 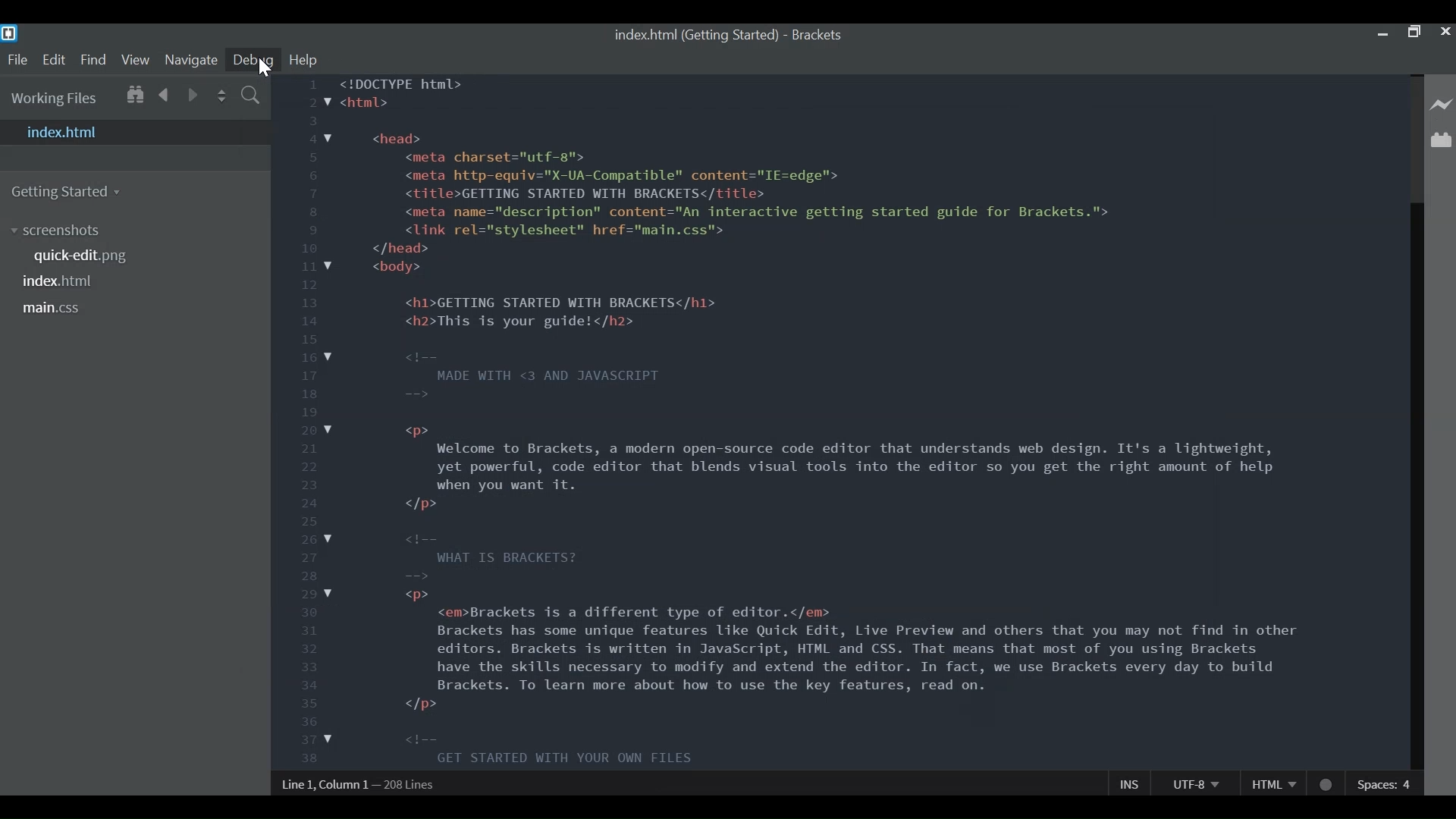 What do you see at coordinates (301, 58) in the screenshot?
I see `Help` at bounding box center [301, 58].